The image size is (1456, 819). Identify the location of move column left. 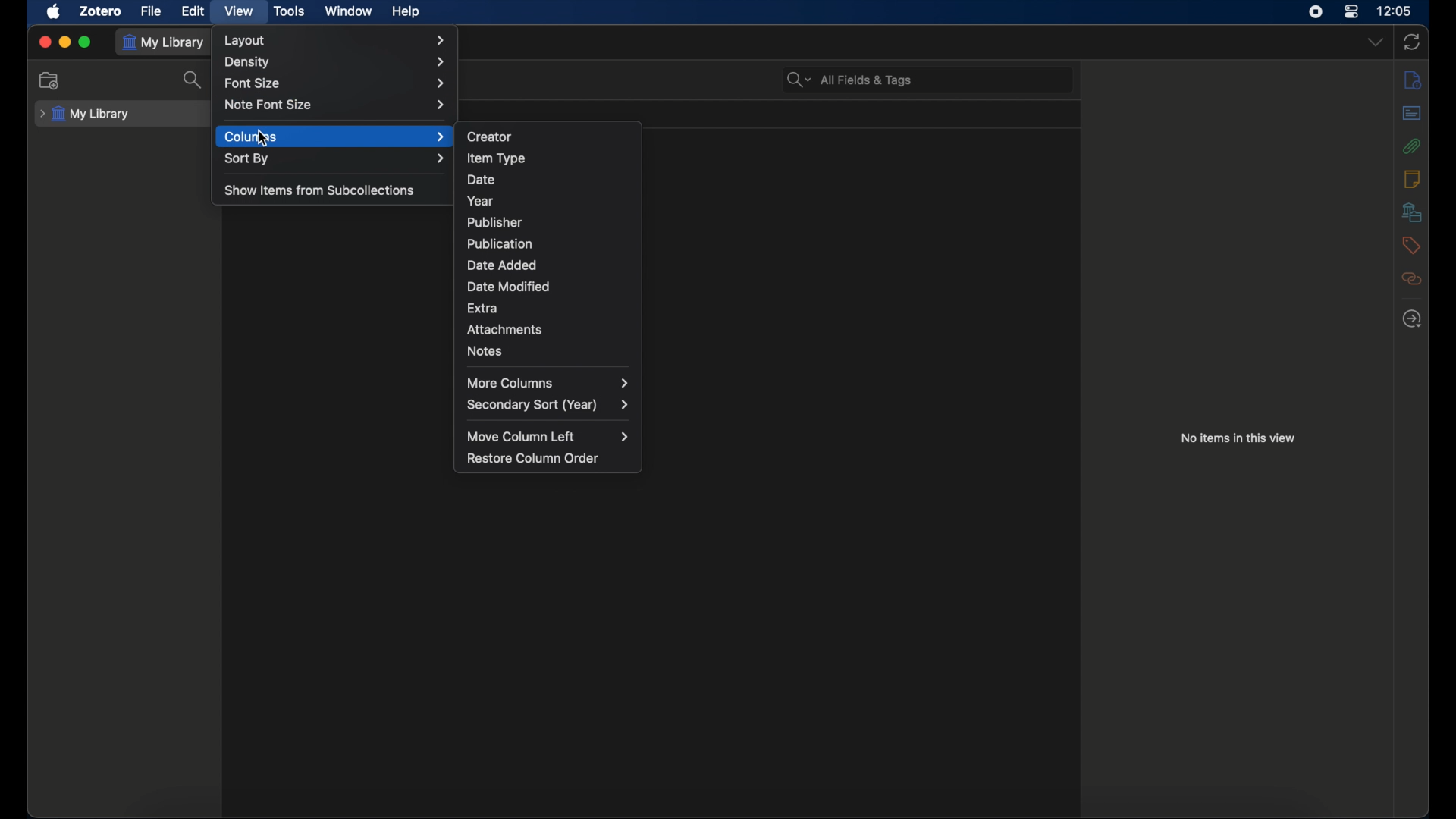
(549, 437).